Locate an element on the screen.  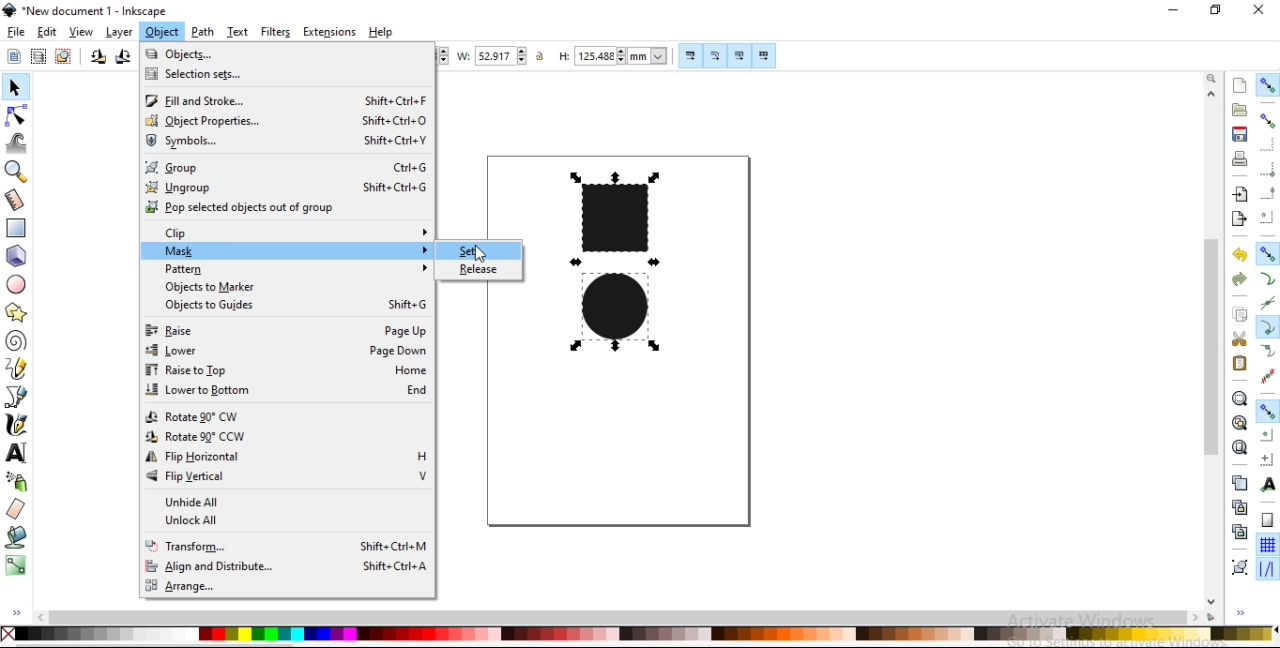
zoom to fit page is located at coordinates (1240, 447).